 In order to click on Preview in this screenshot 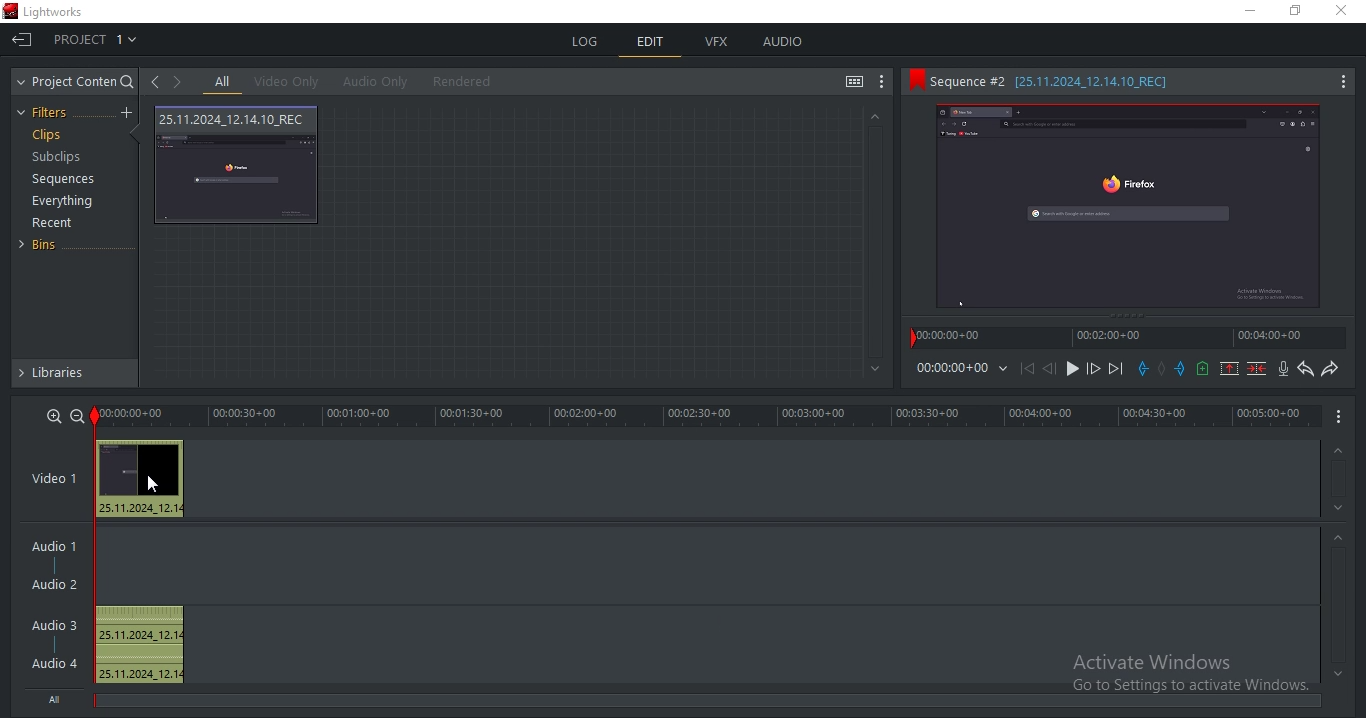, I will do `click(1136, 211)`.